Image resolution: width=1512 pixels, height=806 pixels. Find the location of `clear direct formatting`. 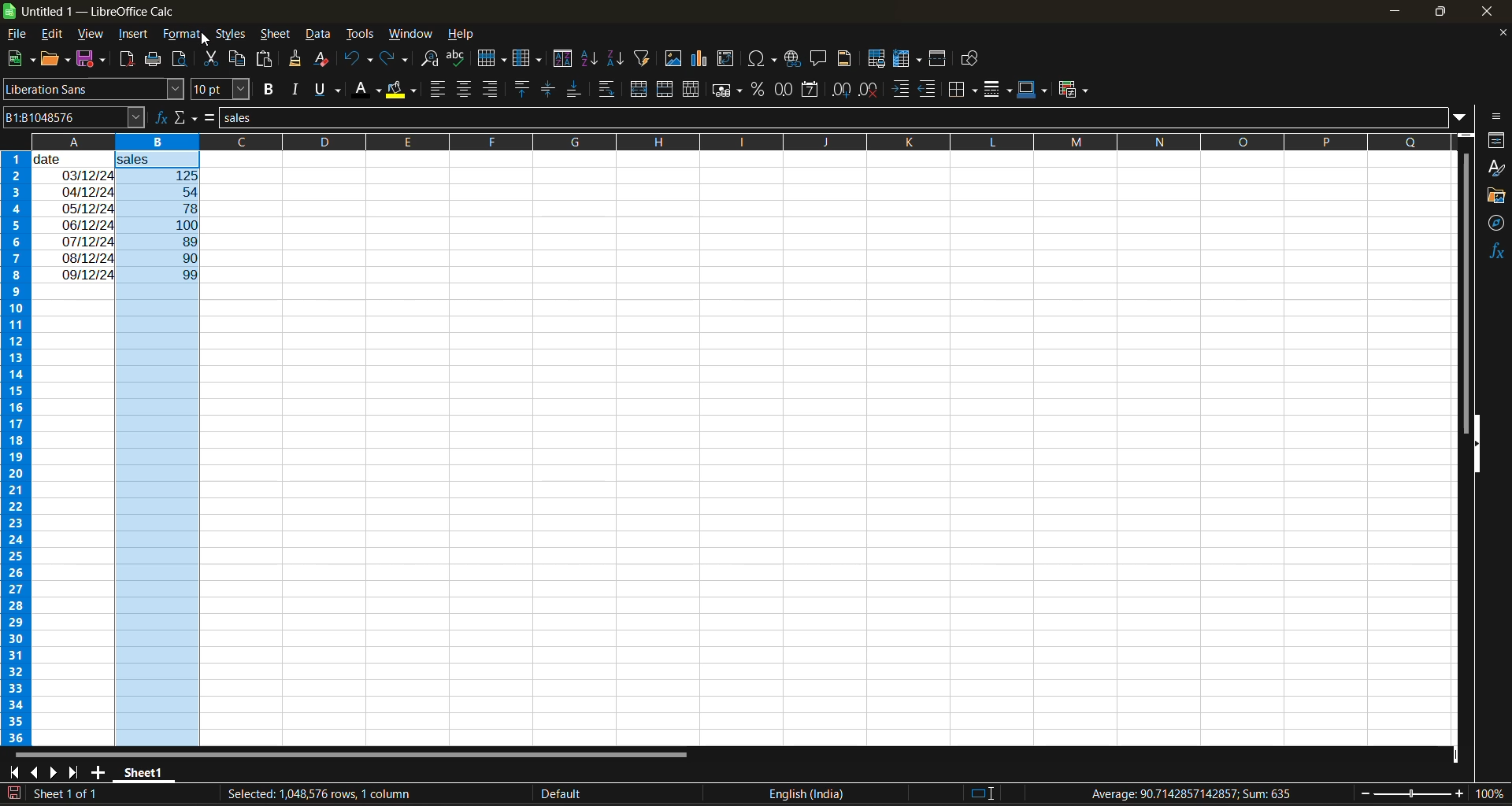

clear direct formatting is located at coordinates (324, 61).